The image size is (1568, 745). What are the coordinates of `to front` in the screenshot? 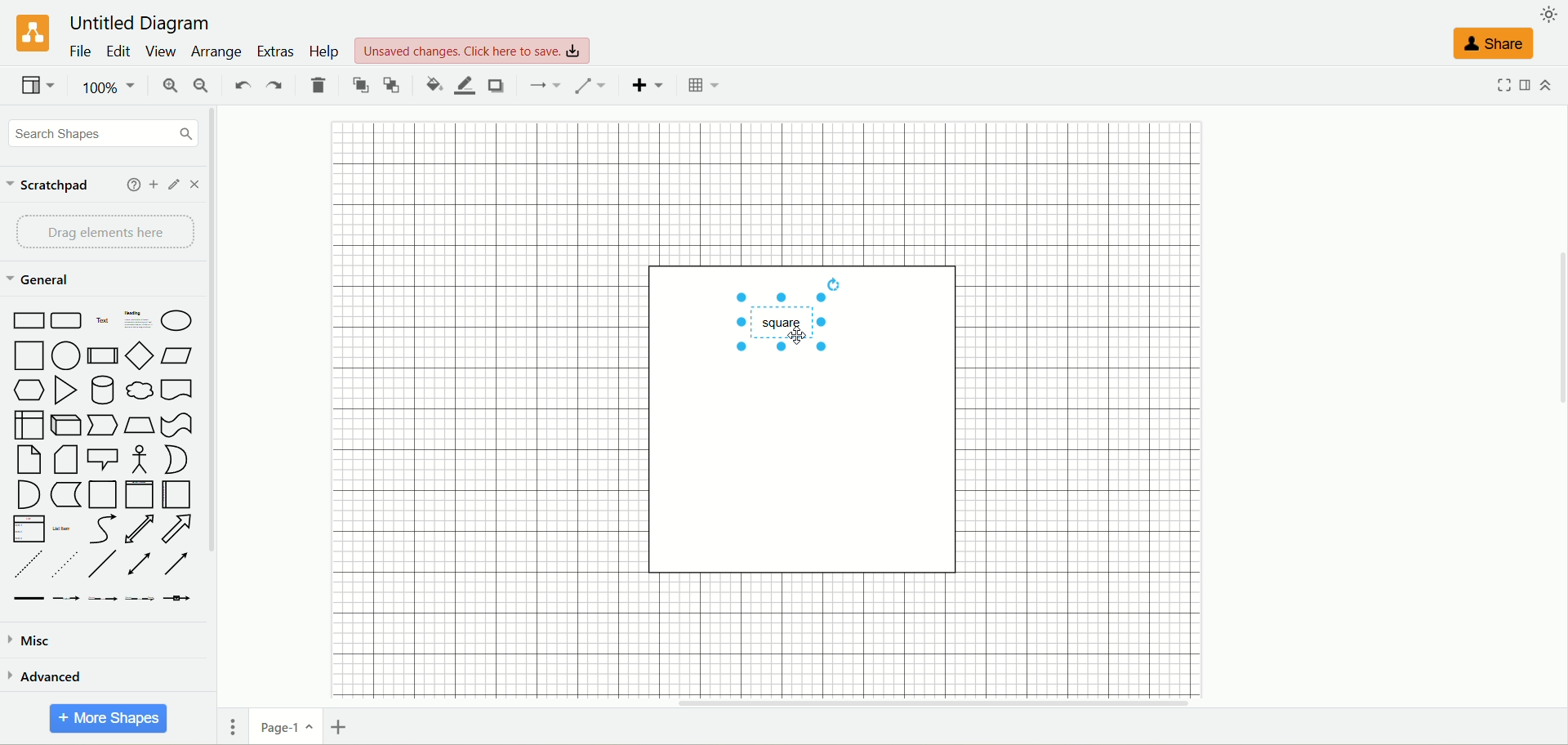 It's located at (359, 85).